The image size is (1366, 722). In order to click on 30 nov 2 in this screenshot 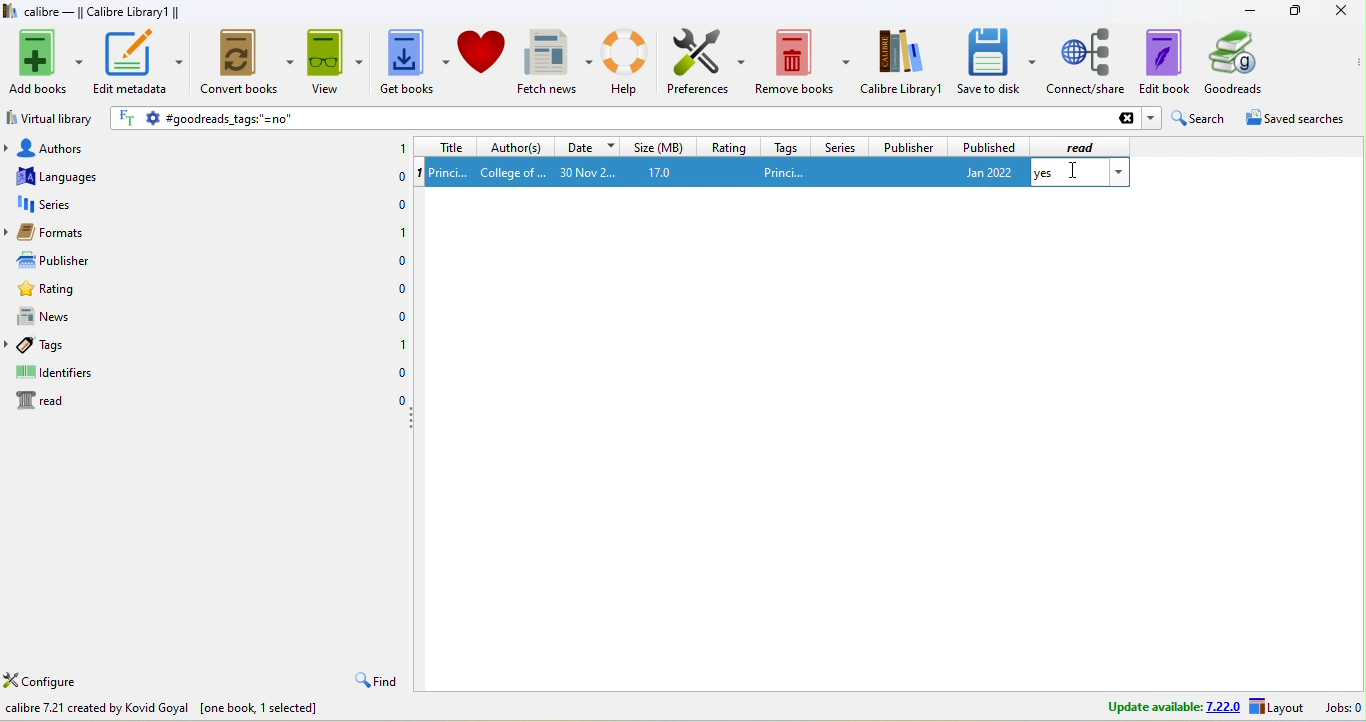, I will do `click(587, 172)`.